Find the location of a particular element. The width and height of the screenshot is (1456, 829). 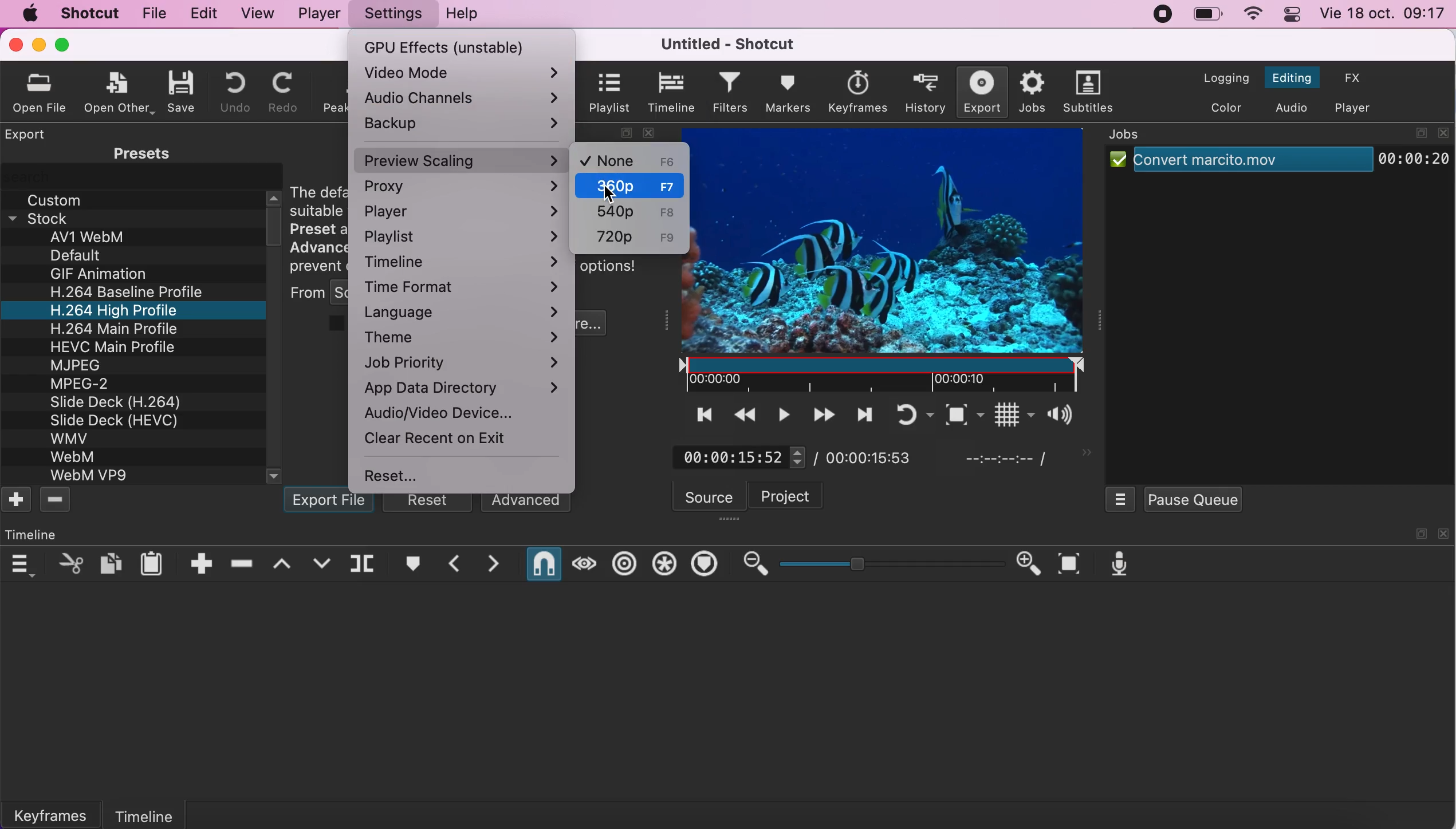

app data directory is located at coordinates (464, 386).